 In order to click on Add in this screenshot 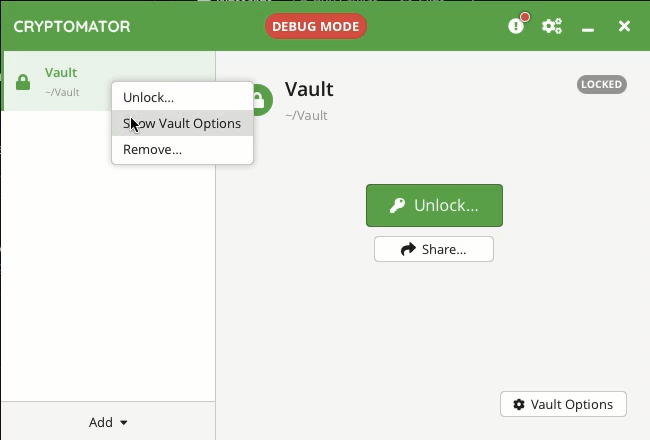, I will do `click(106, 422)`.